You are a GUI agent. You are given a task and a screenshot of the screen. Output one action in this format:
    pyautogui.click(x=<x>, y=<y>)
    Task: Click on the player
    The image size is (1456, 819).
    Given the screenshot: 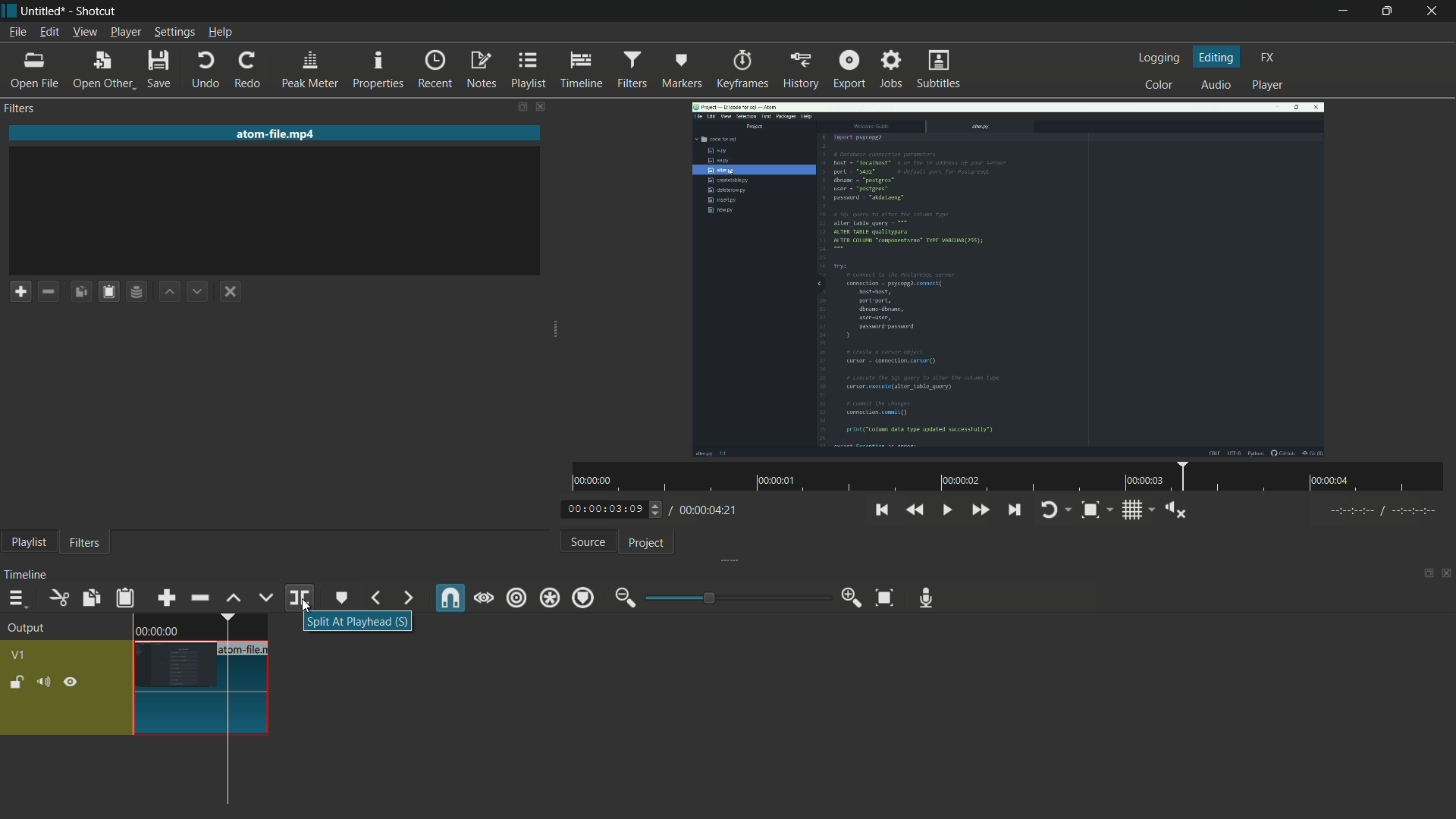 What is the action you would take?
    pyautogui.click(x=1266, y=86)
    